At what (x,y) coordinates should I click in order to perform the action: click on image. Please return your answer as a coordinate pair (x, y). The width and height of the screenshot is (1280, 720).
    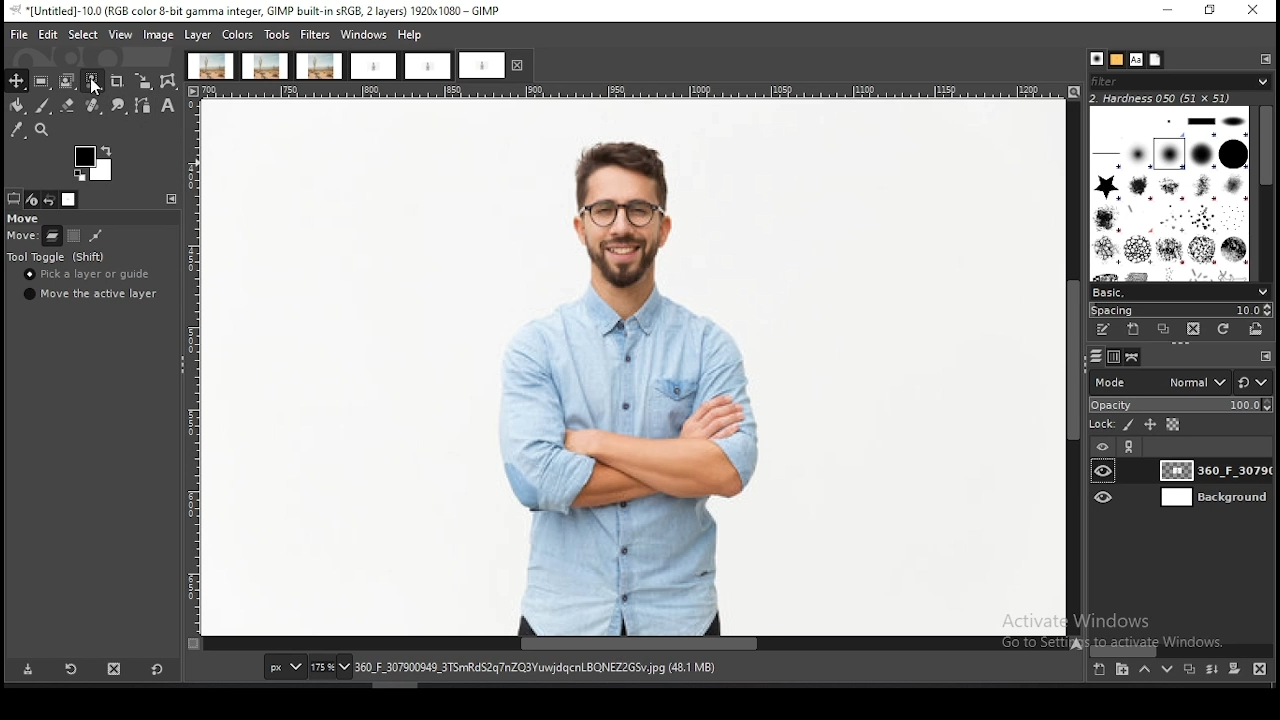
    Looking at the image, I should click on (580, 369).